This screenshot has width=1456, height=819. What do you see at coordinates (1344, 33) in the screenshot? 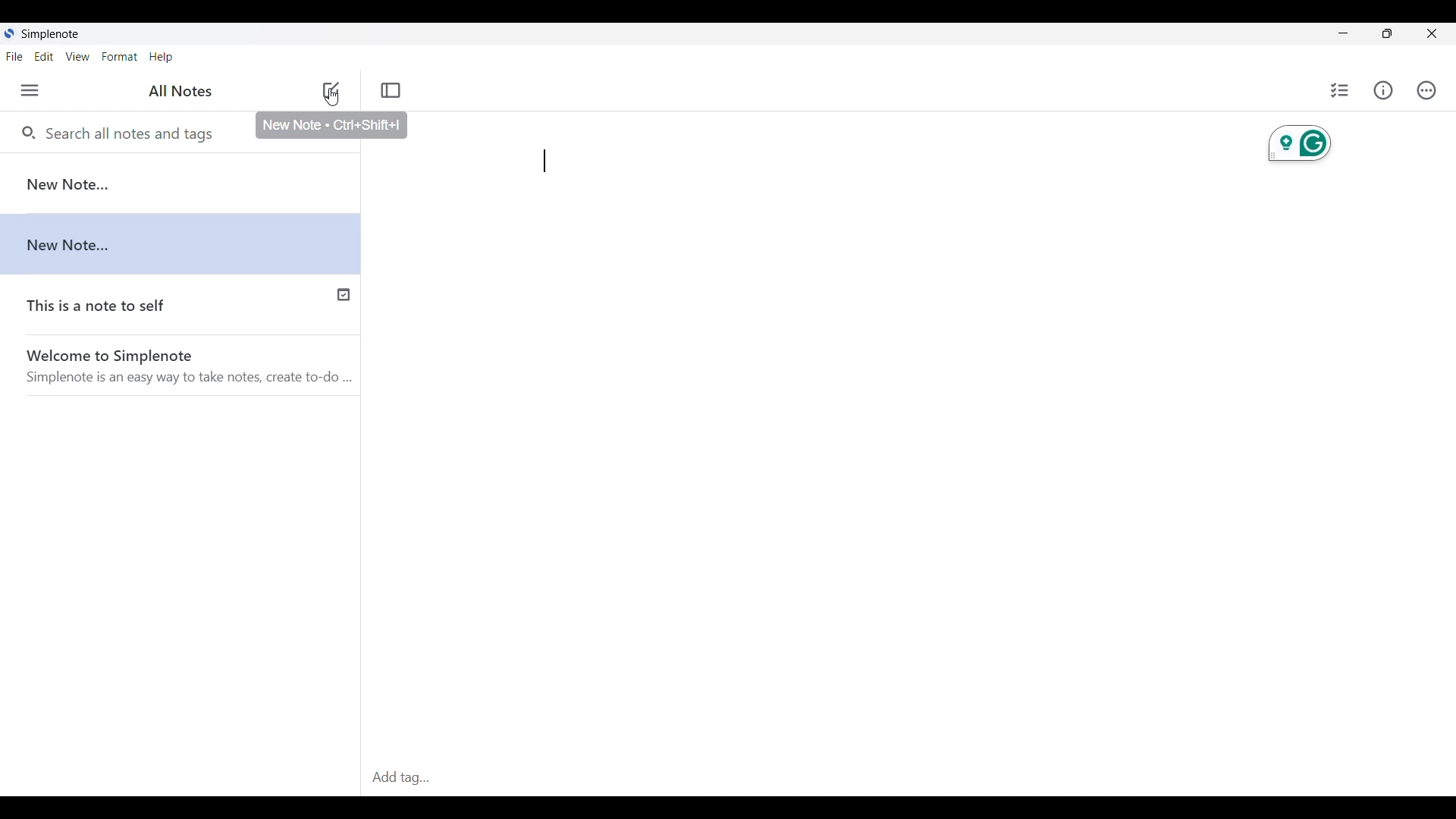
I see `Minimize` at bounding box center [1344, 33].